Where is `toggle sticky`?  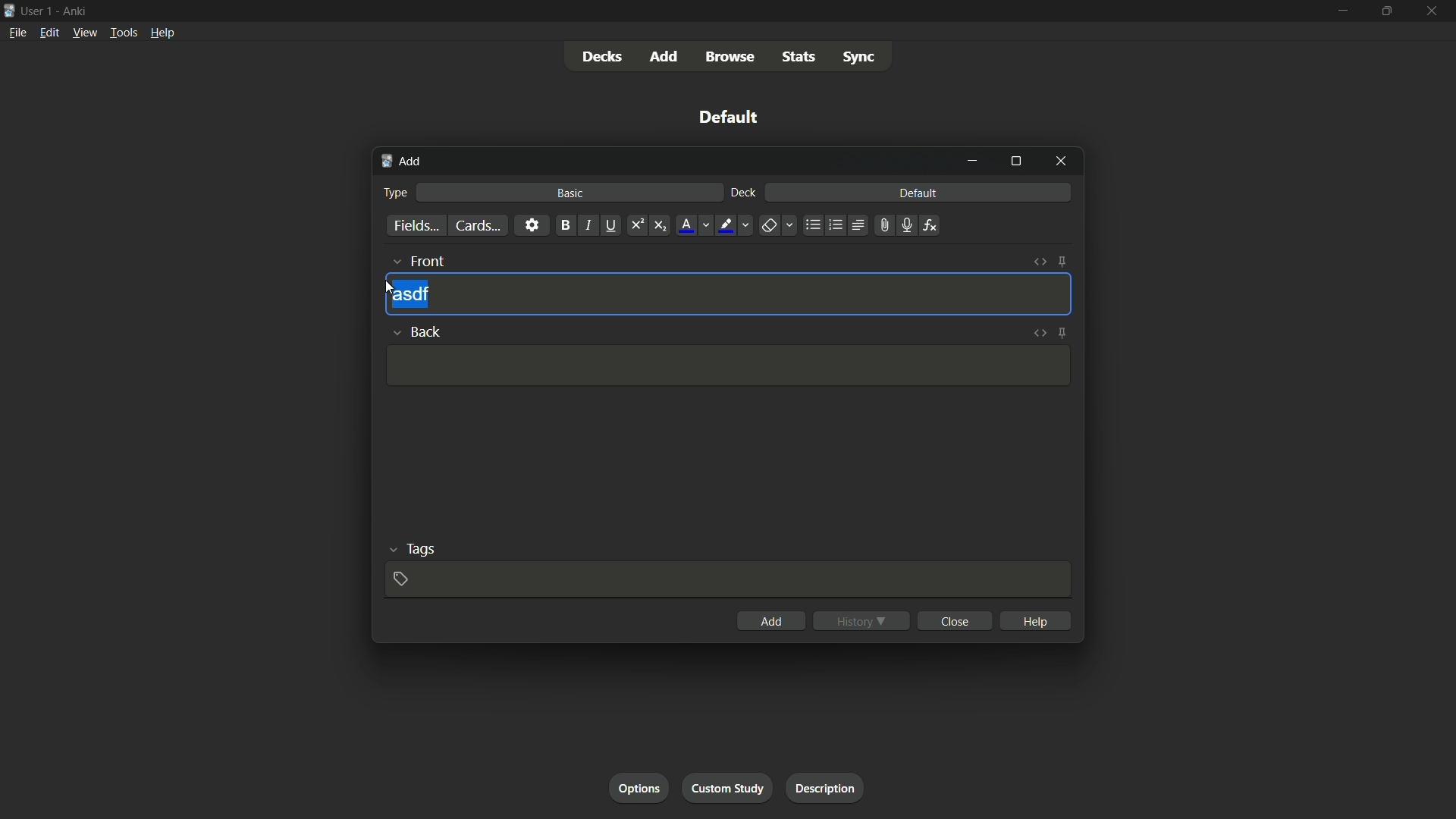
toggle sticky is located at coordinates (1063, 262).